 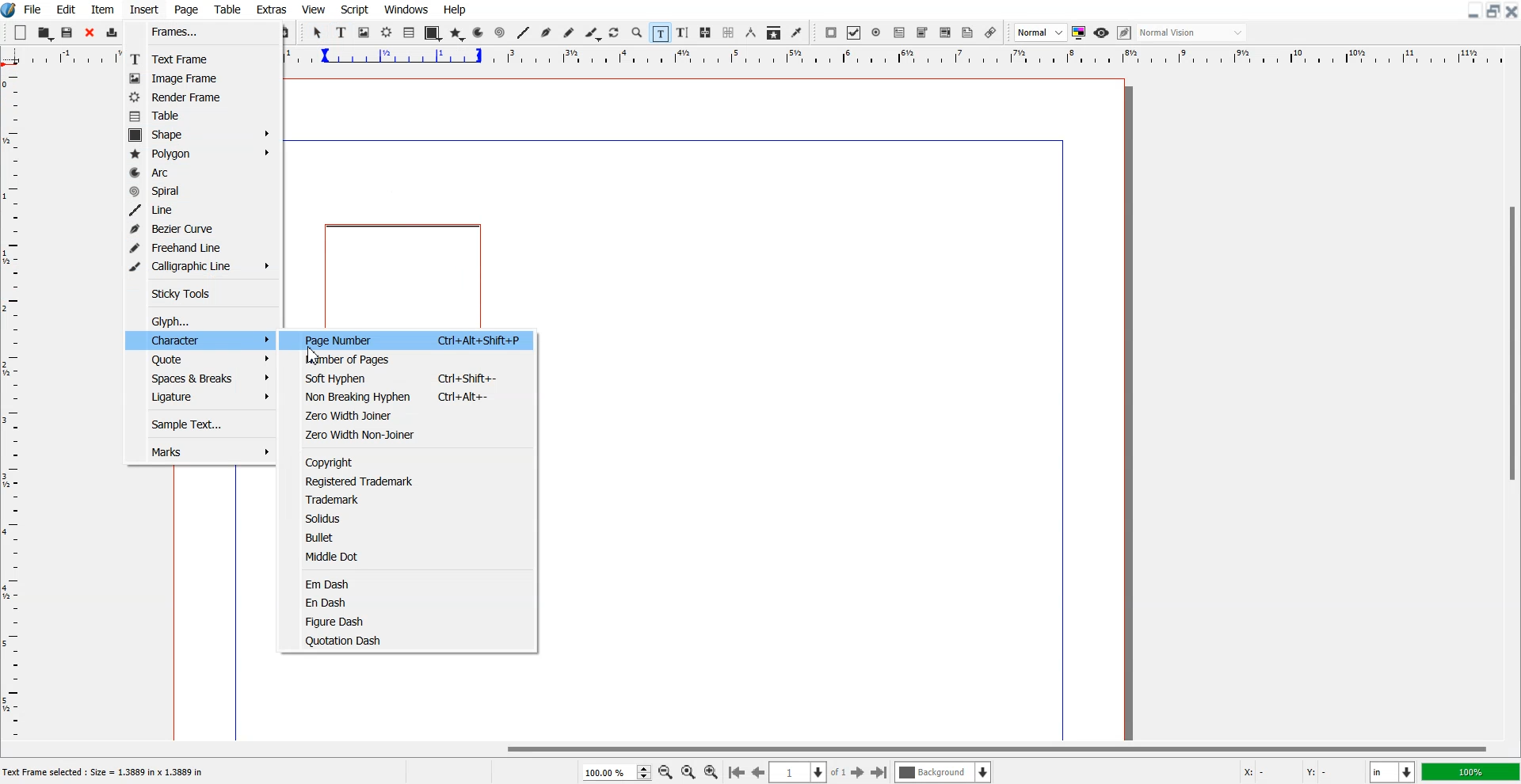 I want to click on En Dash, so click(x=414, y=603).